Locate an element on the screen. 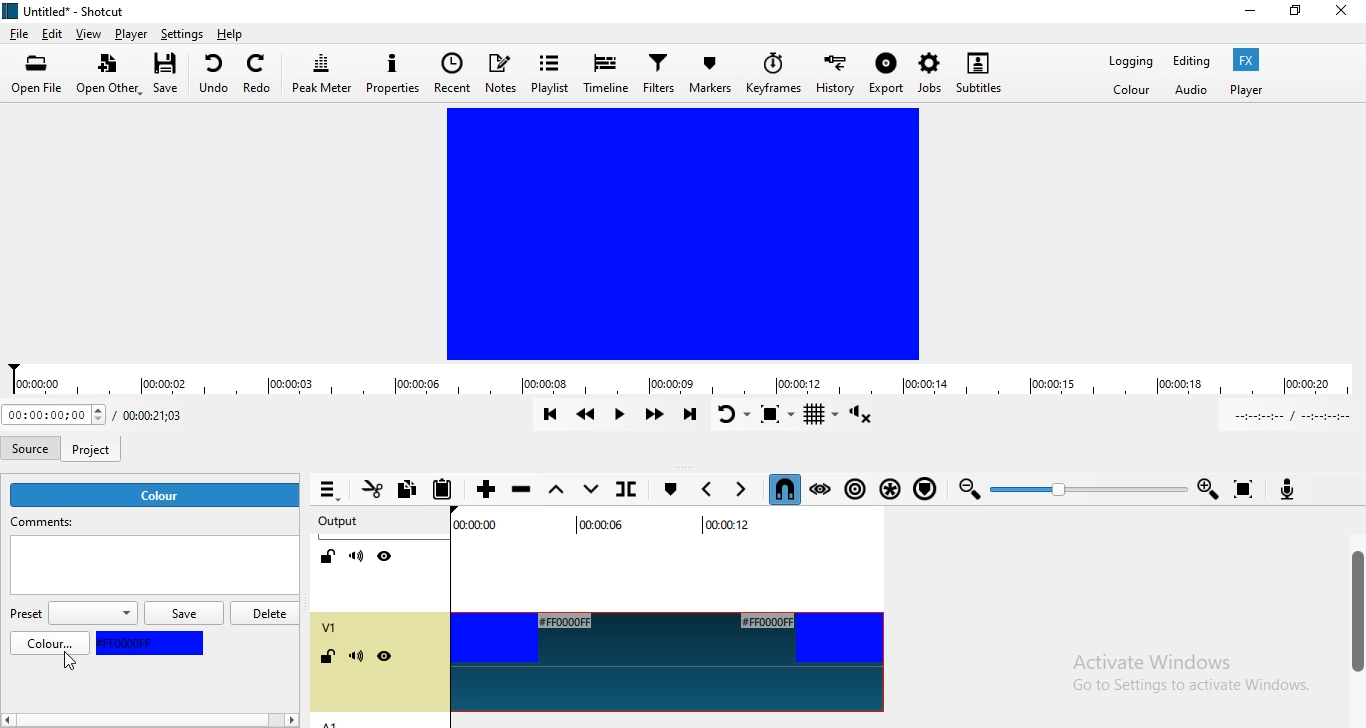 The image size is (1366, 728). Lift is located at coordinates (558, 490).